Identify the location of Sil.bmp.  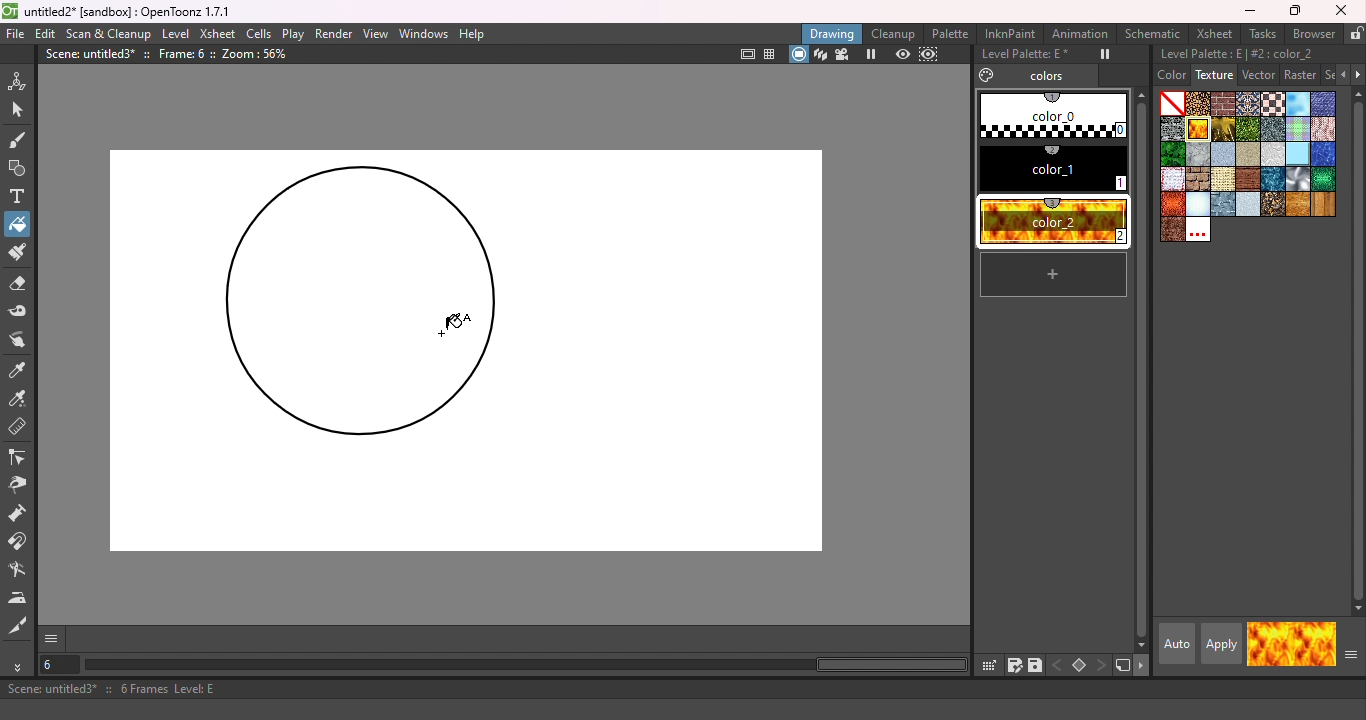
(1298, 179).